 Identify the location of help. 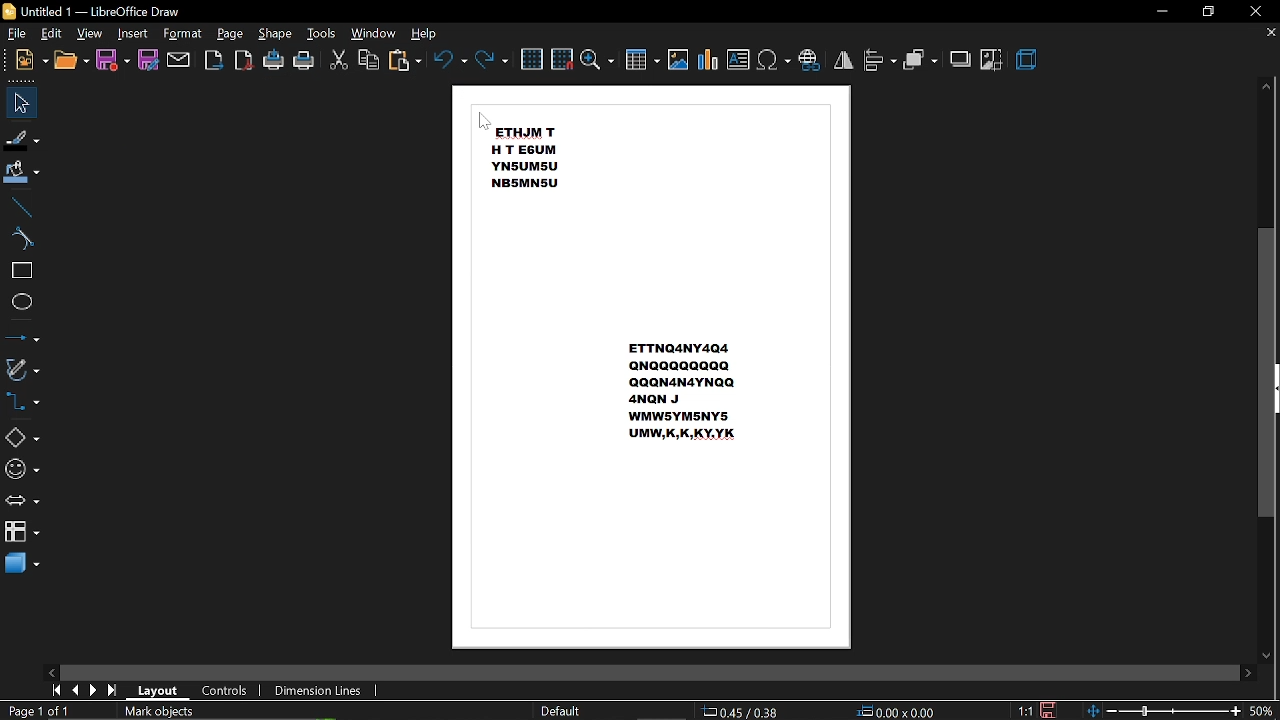
(428, 33).